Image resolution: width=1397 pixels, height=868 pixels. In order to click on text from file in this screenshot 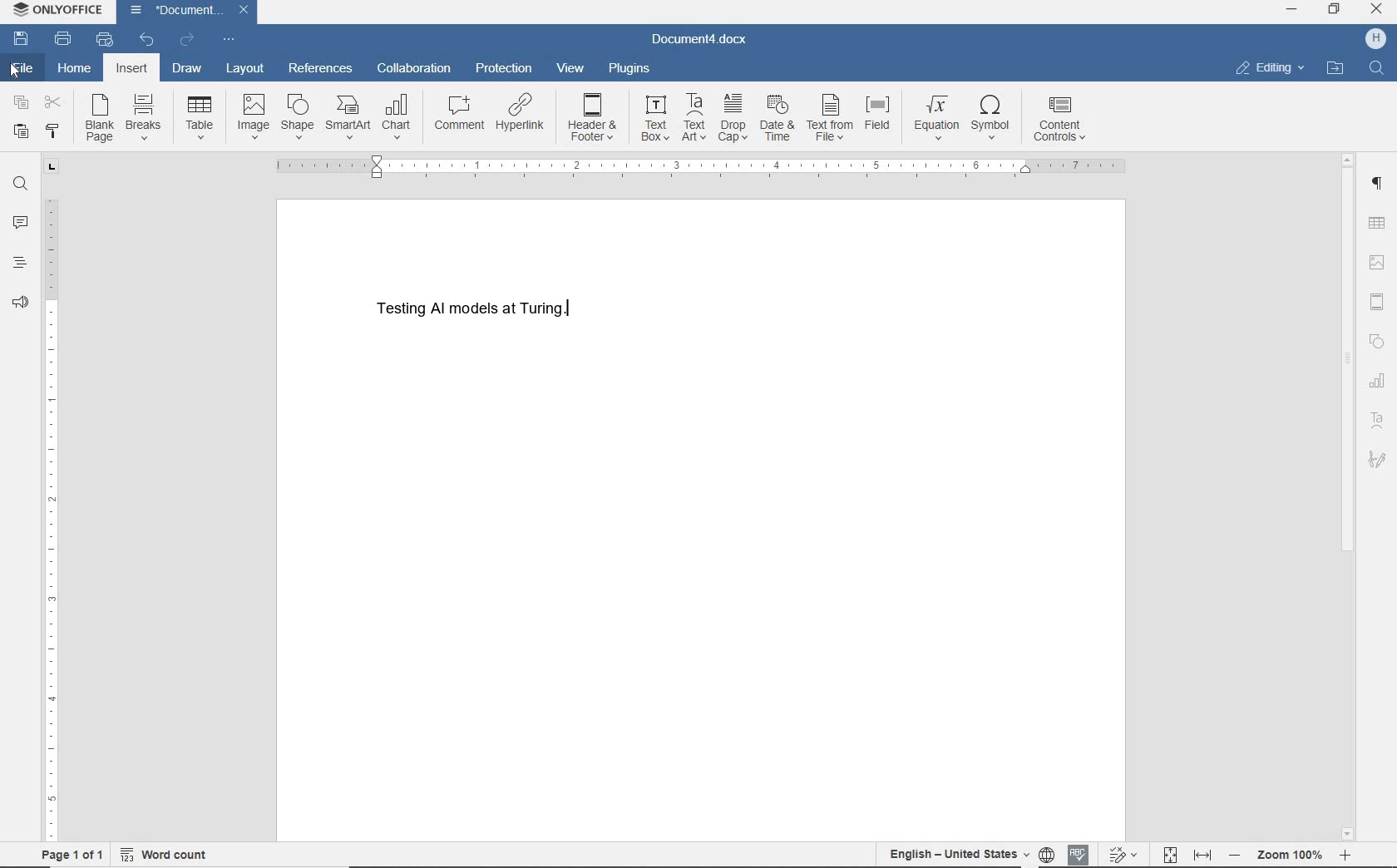, I will do `click(829, 118)`.